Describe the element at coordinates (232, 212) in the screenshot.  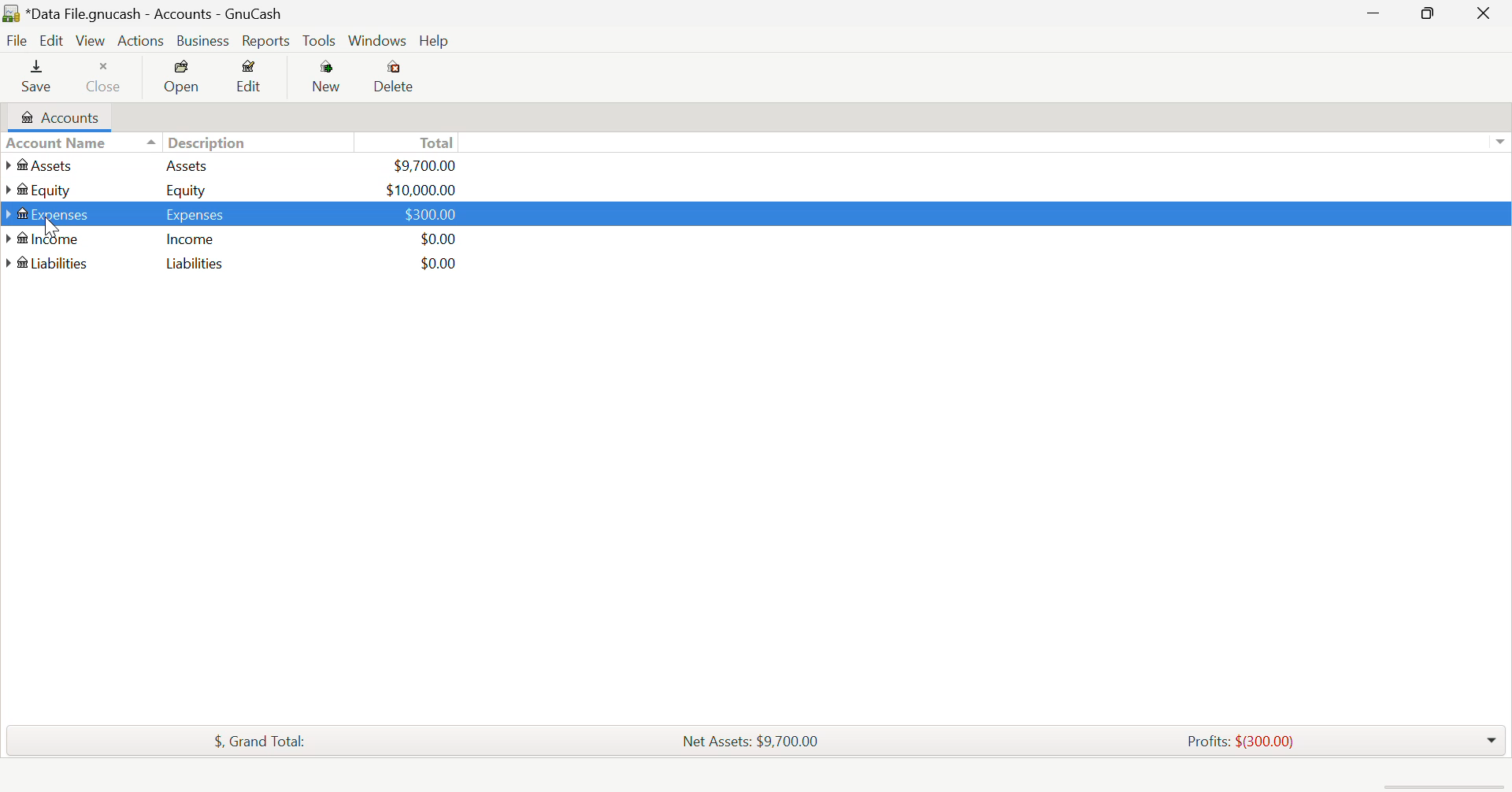
I see `Expenses Expenses $300.00` at that location.